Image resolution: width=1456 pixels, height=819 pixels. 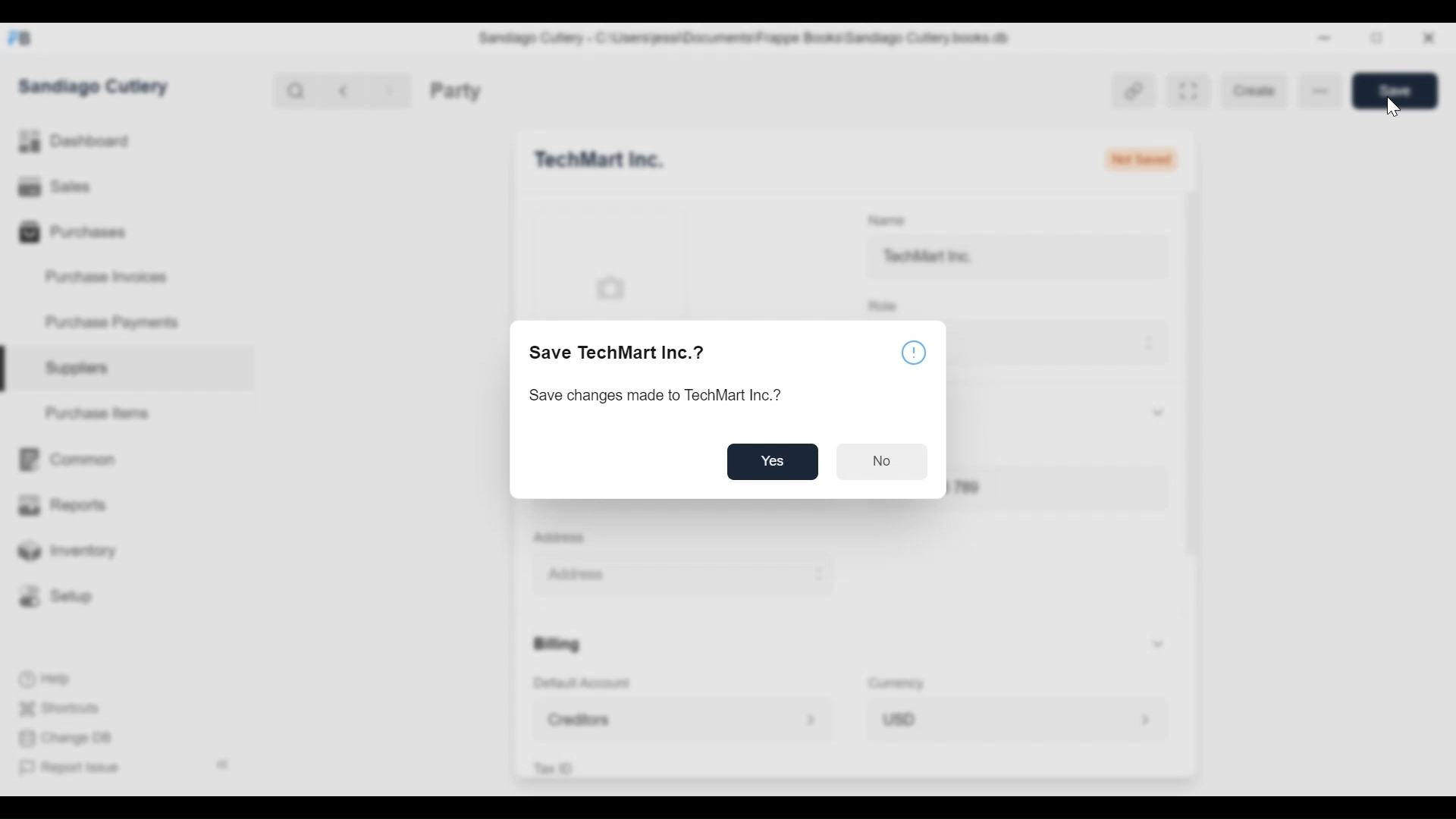 What do you see at coordinates (914, 352) in the screenshot?
I see `icon` at bounding box center [914, 352].